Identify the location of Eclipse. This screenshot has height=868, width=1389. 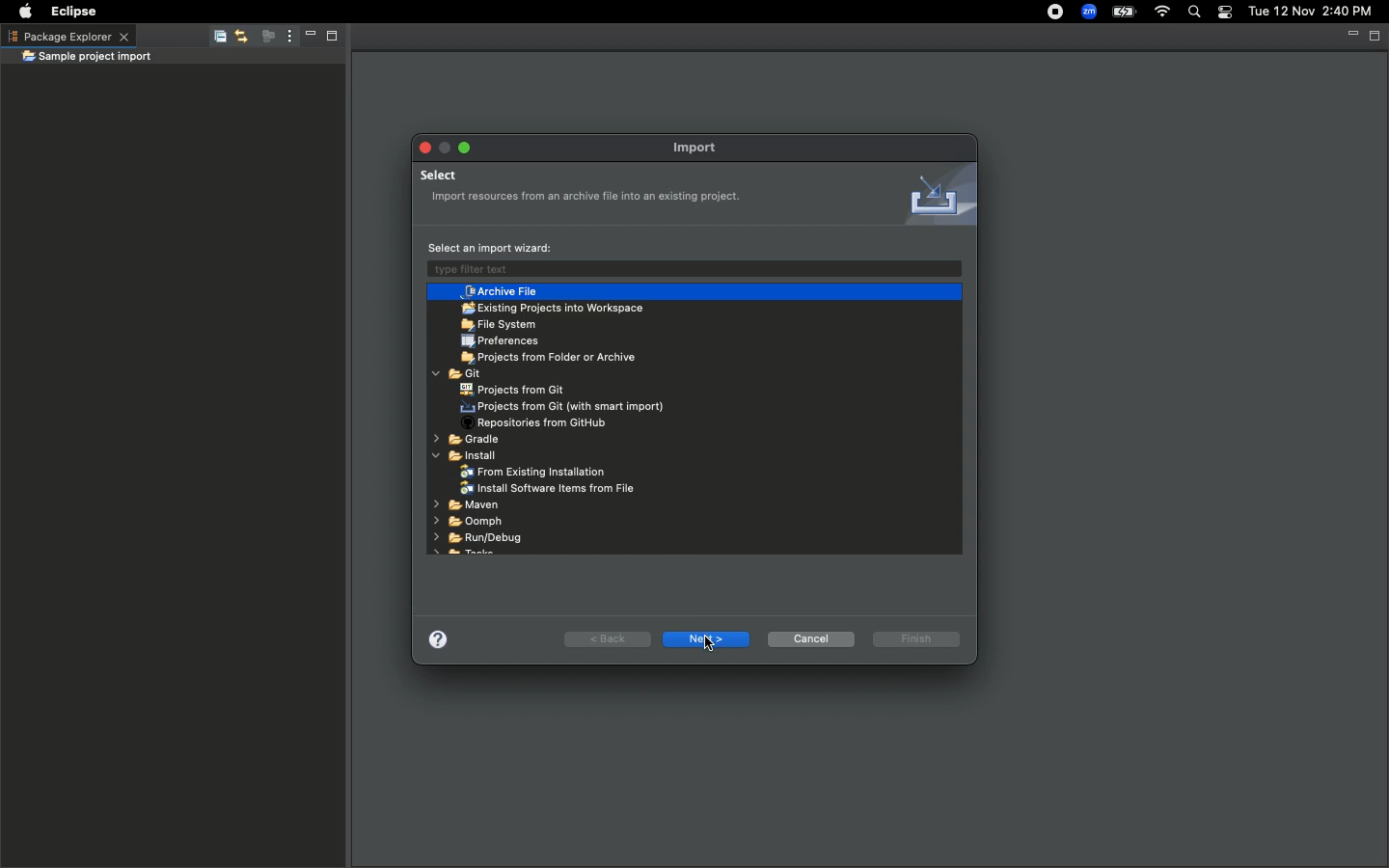
(76, 12).